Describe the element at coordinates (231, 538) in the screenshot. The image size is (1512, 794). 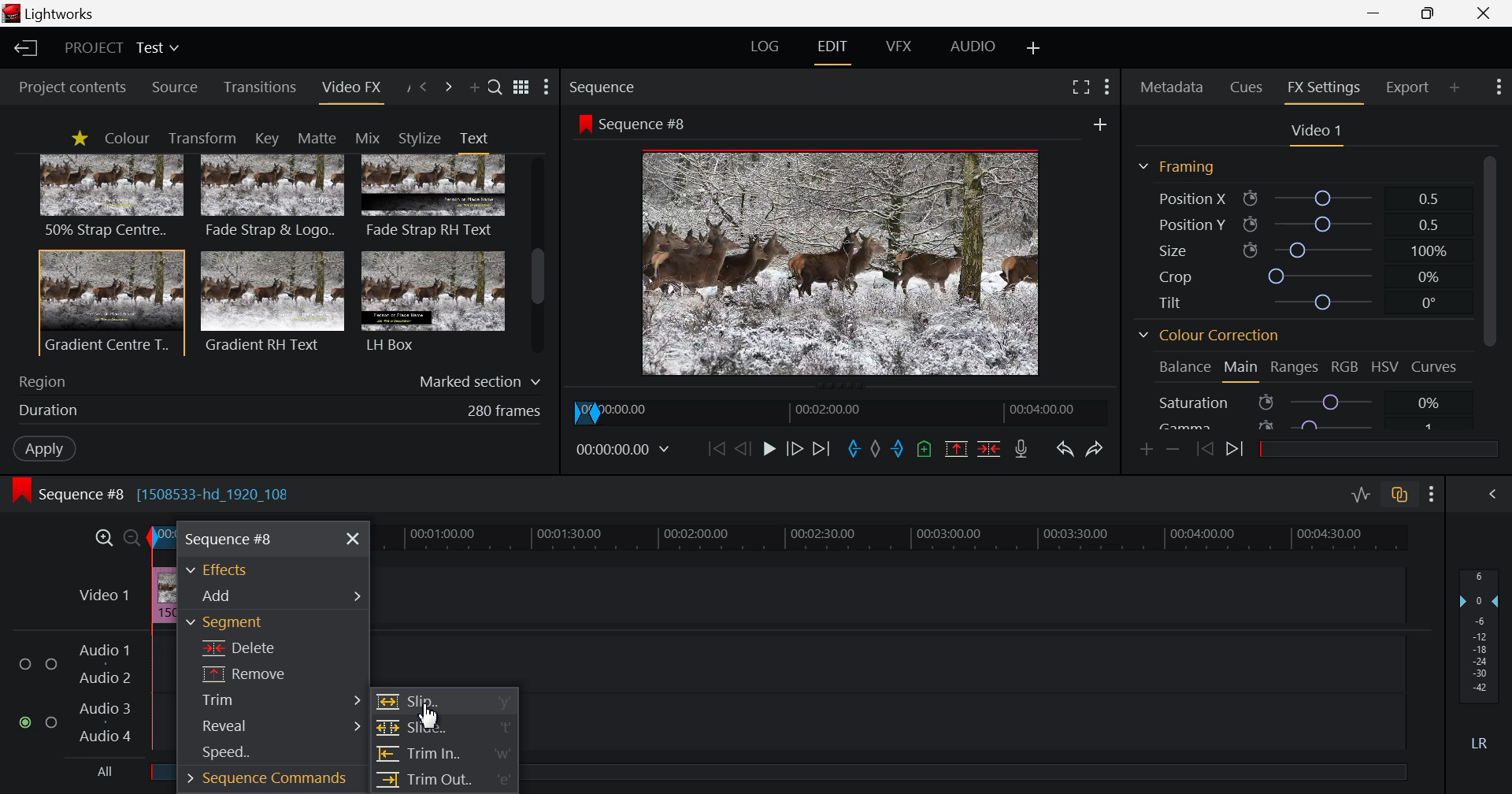
I see `Sequence #8 Menu` at that location.